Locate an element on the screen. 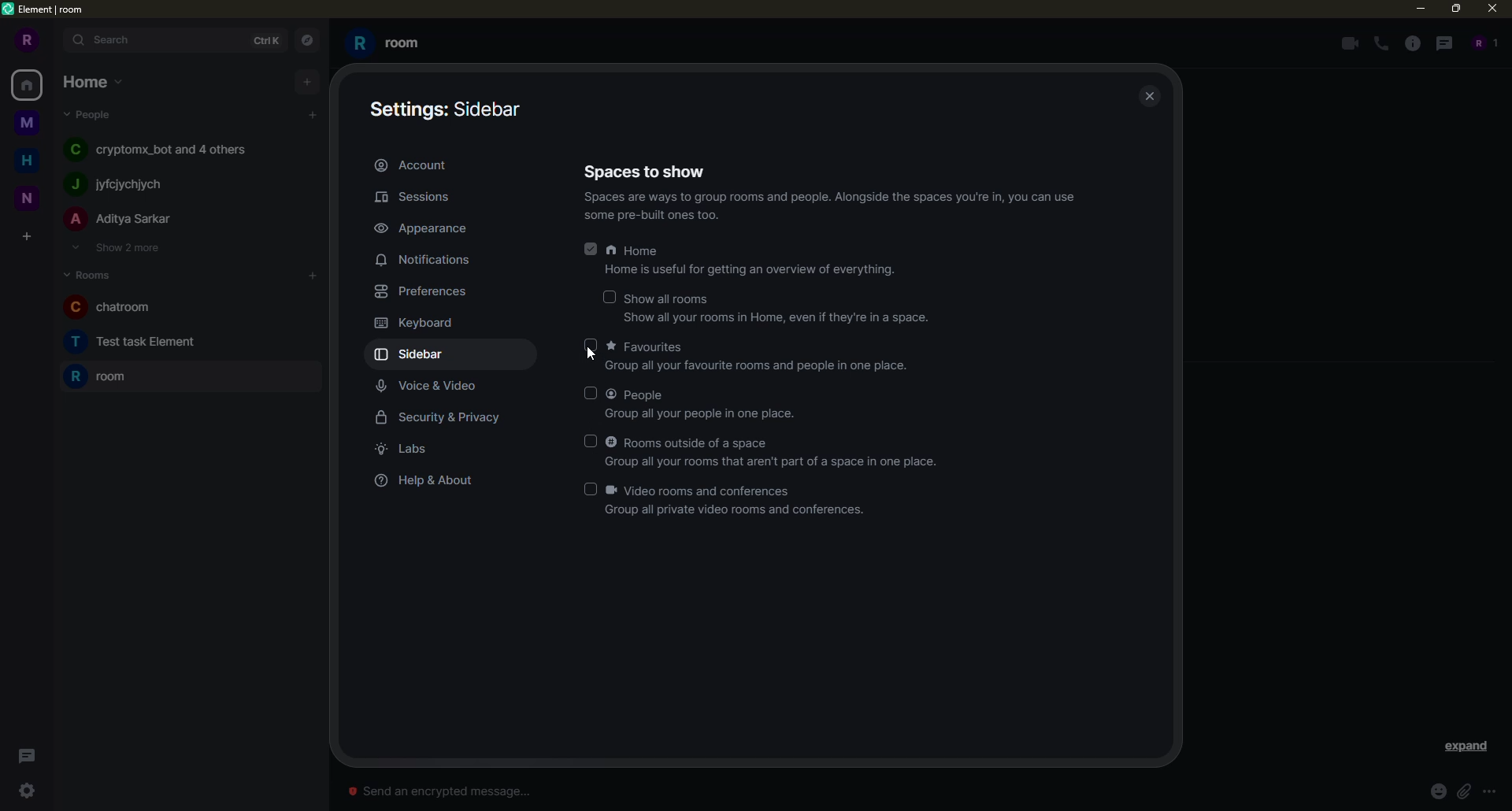 The width and height of the screenshot is (1512, 811). help & about is located at coordinates (423, 481).